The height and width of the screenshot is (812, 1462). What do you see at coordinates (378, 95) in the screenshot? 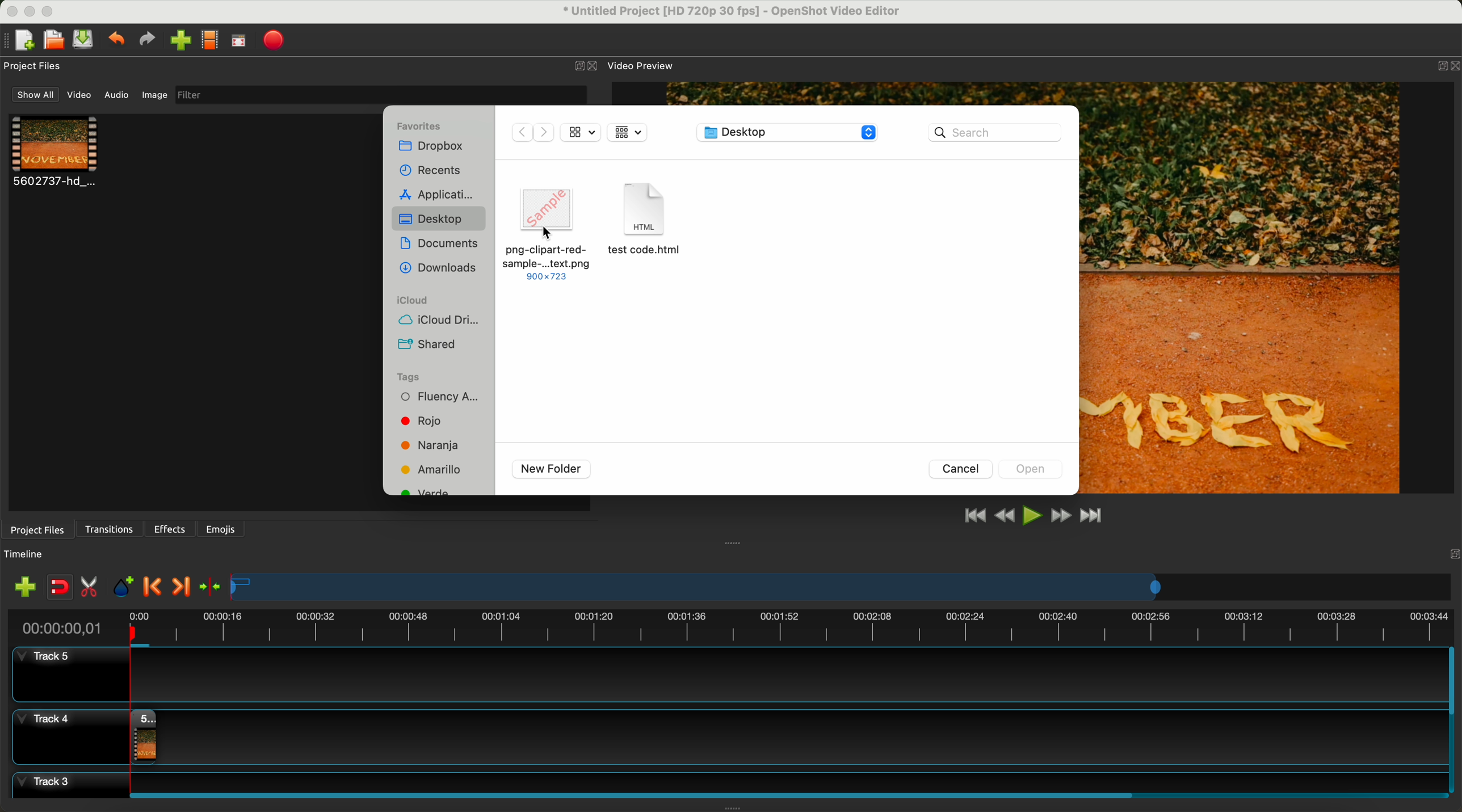
I see `filter` at bounding box center [378, 95].